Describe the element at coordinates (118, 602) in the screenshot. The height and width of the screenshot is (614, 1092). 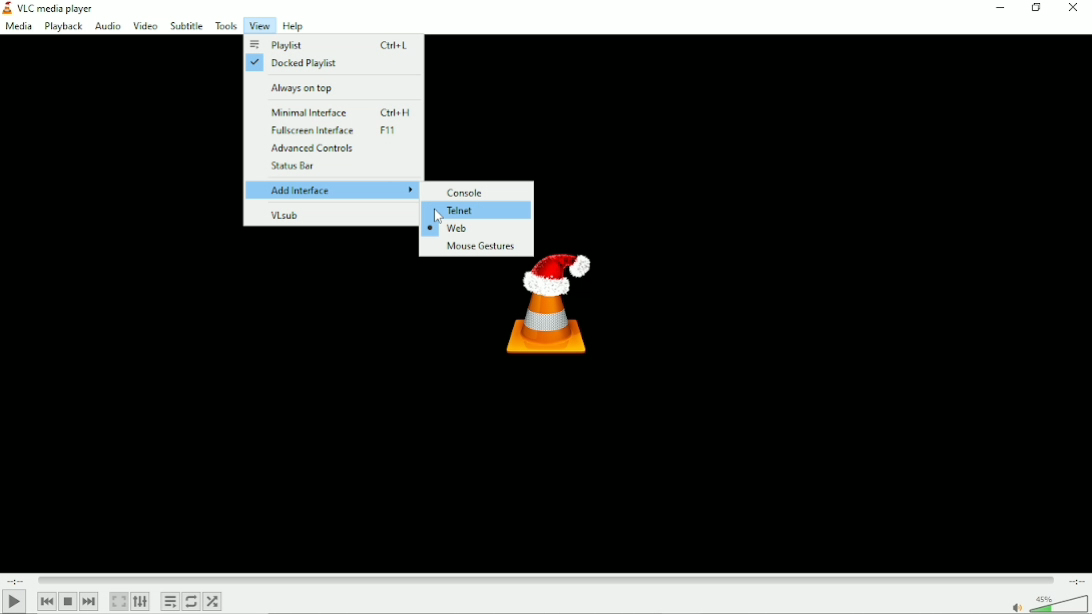
I see `toggle video in fullscreen` at that location.